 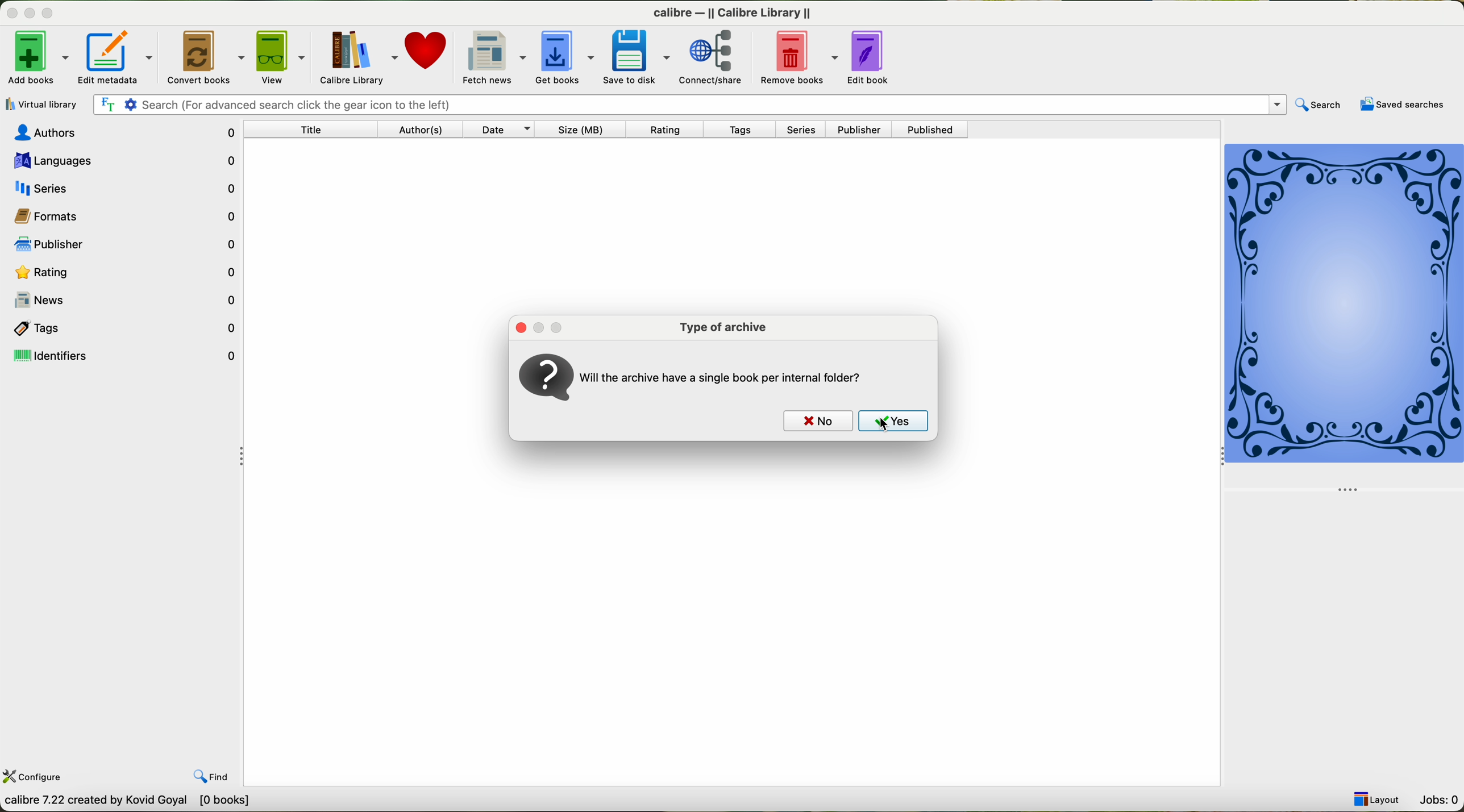 What do you see at coordinates (689, 103) in the screenshot?
I see `search bar` at bounding box center [689, 103].